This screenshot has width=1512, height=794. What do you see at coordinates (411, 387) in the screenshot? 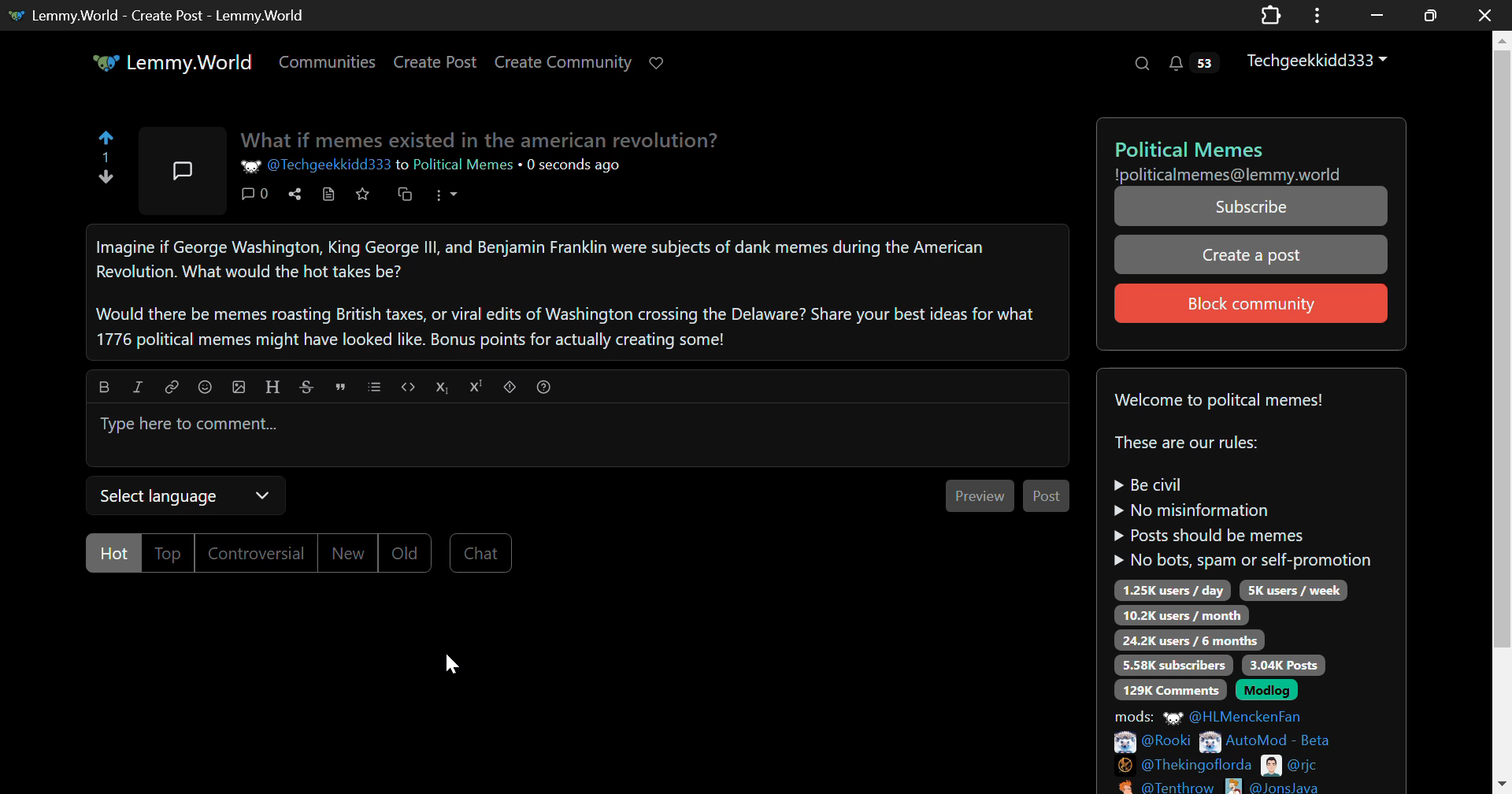
I see `Code` at bounding box center [411, 387].